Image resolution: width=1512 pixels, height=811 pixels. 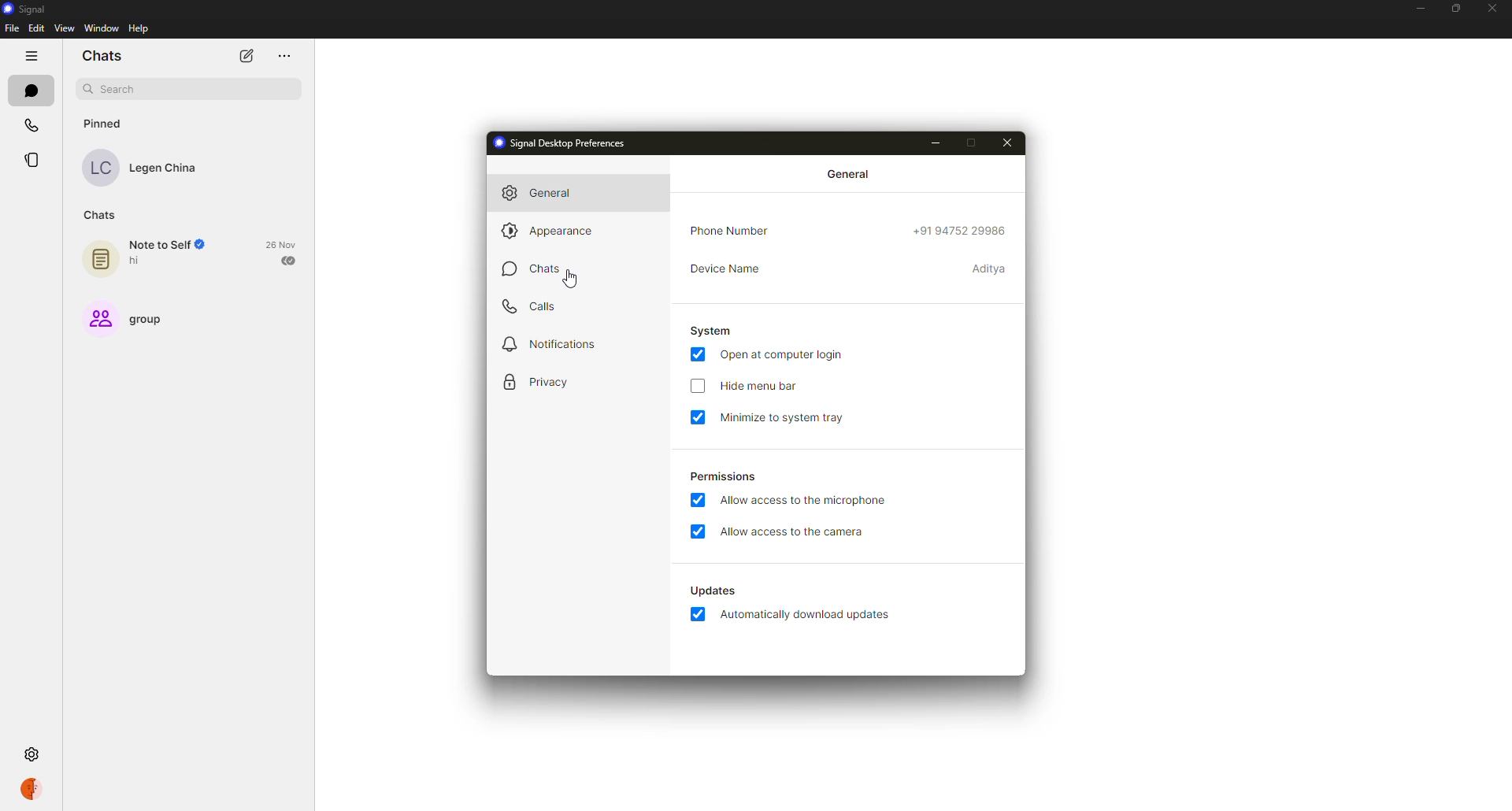 I want to click on help, so click(x=139, y=29).